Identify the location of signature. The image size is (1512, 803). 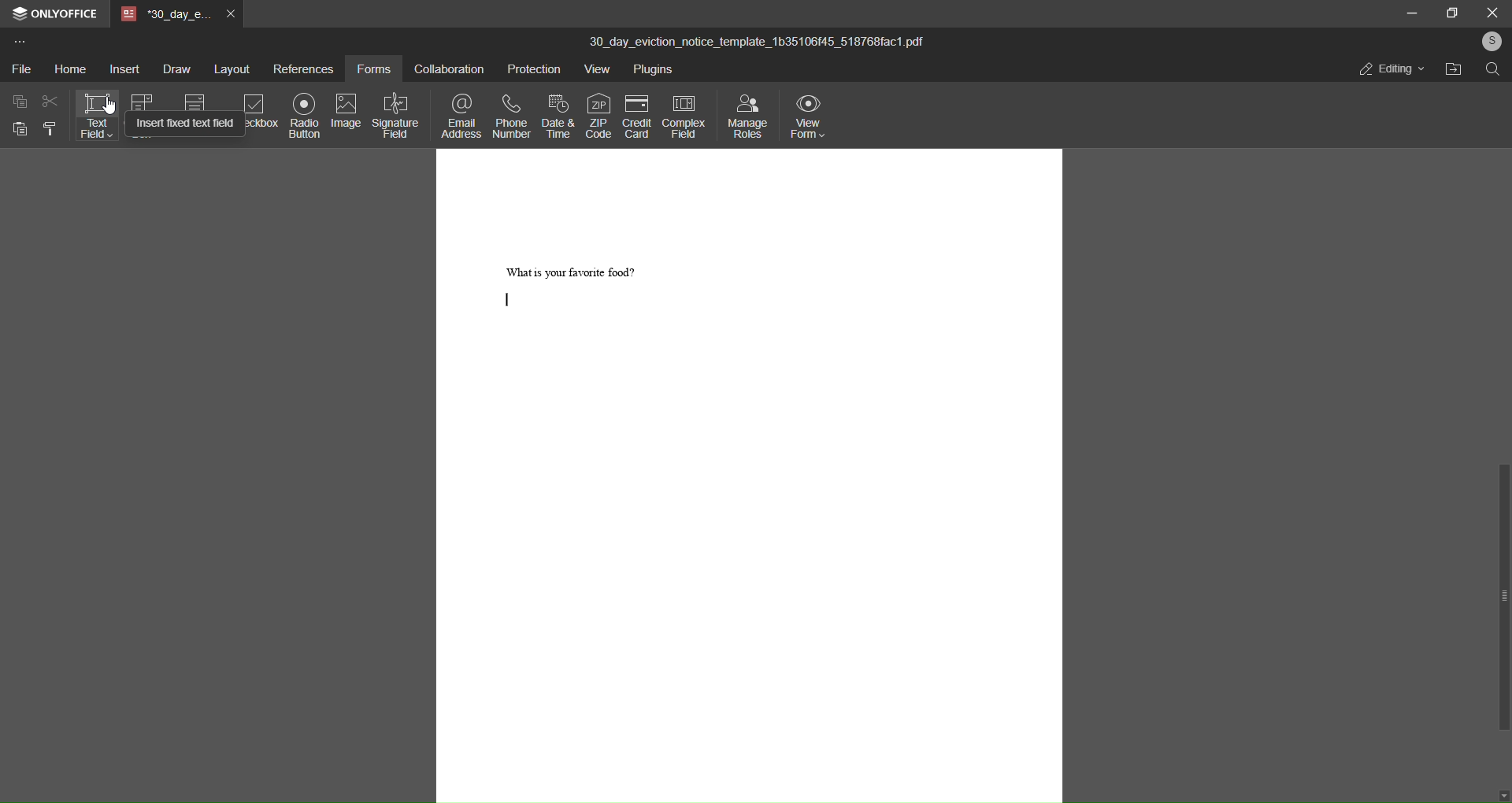
(397, 114).